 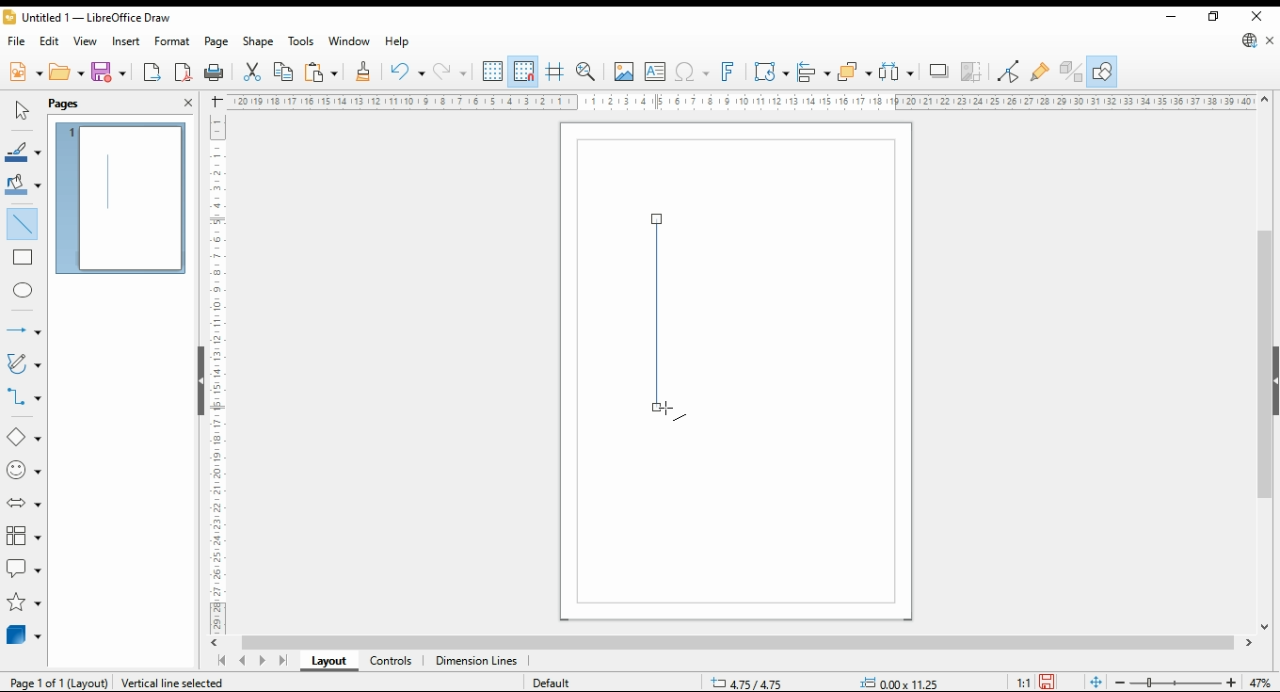 I want to click on move down, so click(x=1265, y=629).